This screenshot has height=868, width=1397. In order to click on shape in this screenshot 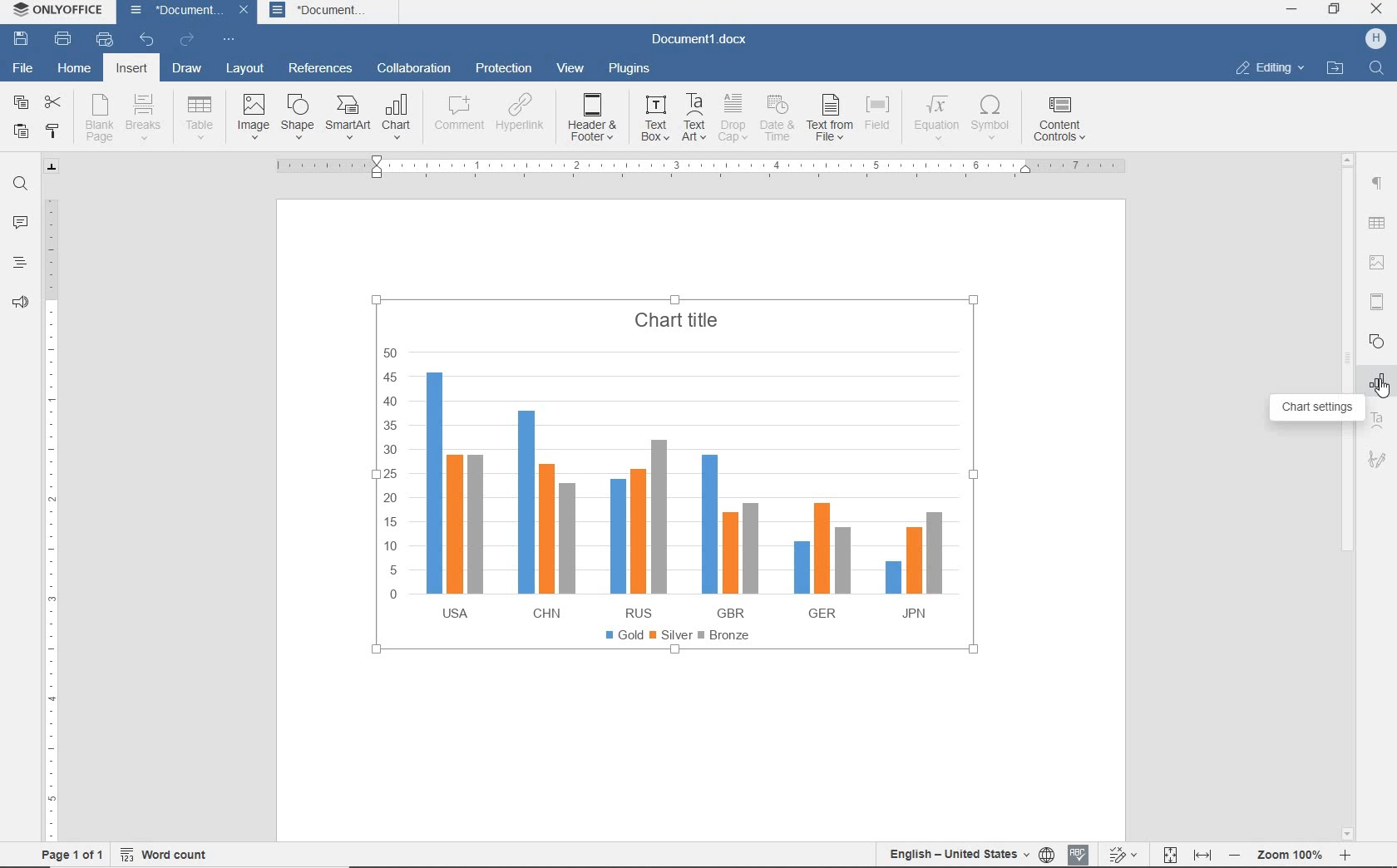, I will do `click(1376, 341)`.